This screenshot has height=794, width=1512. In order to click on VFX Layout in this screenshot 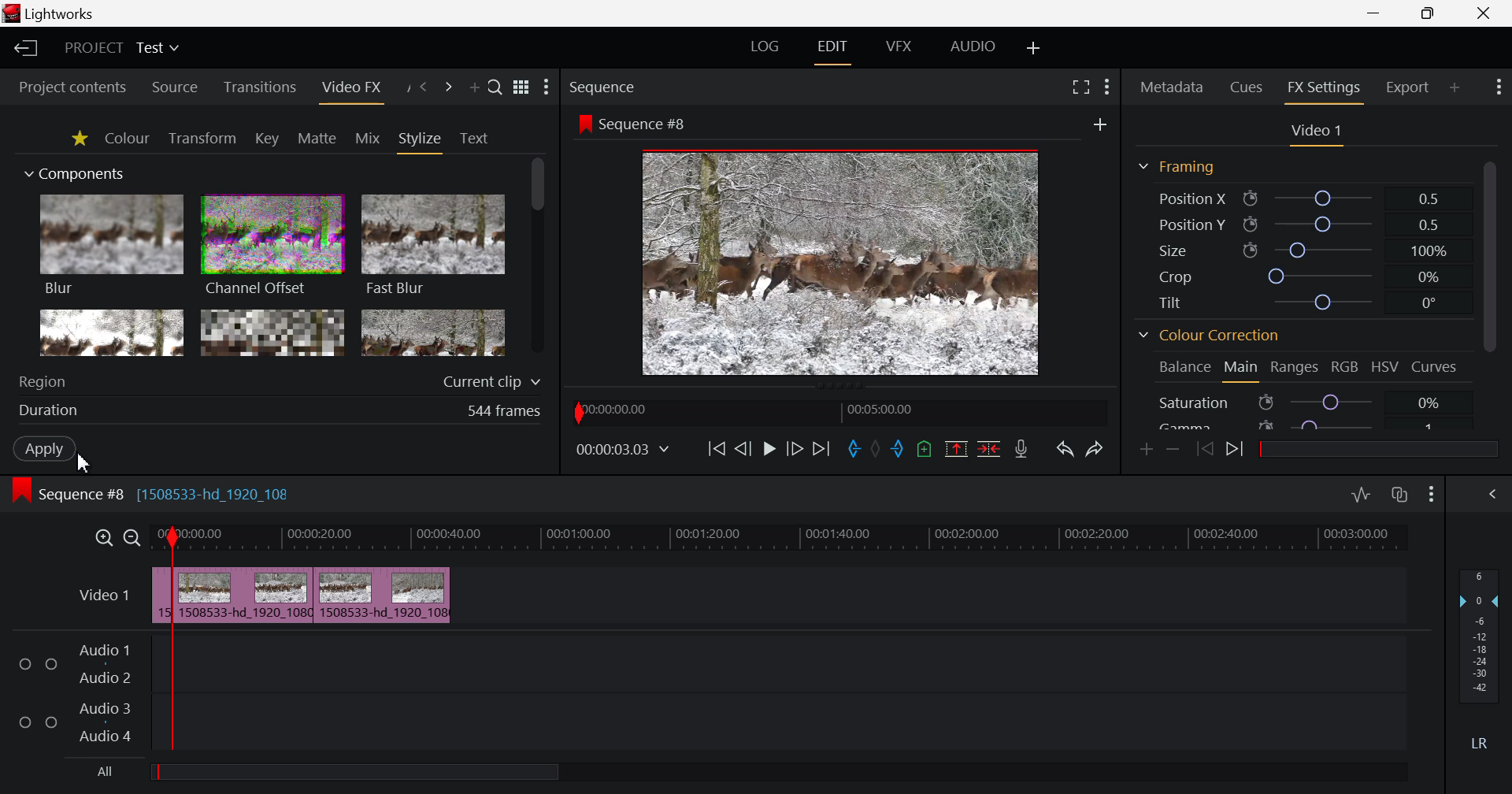, I will do `click(898, 47)`.